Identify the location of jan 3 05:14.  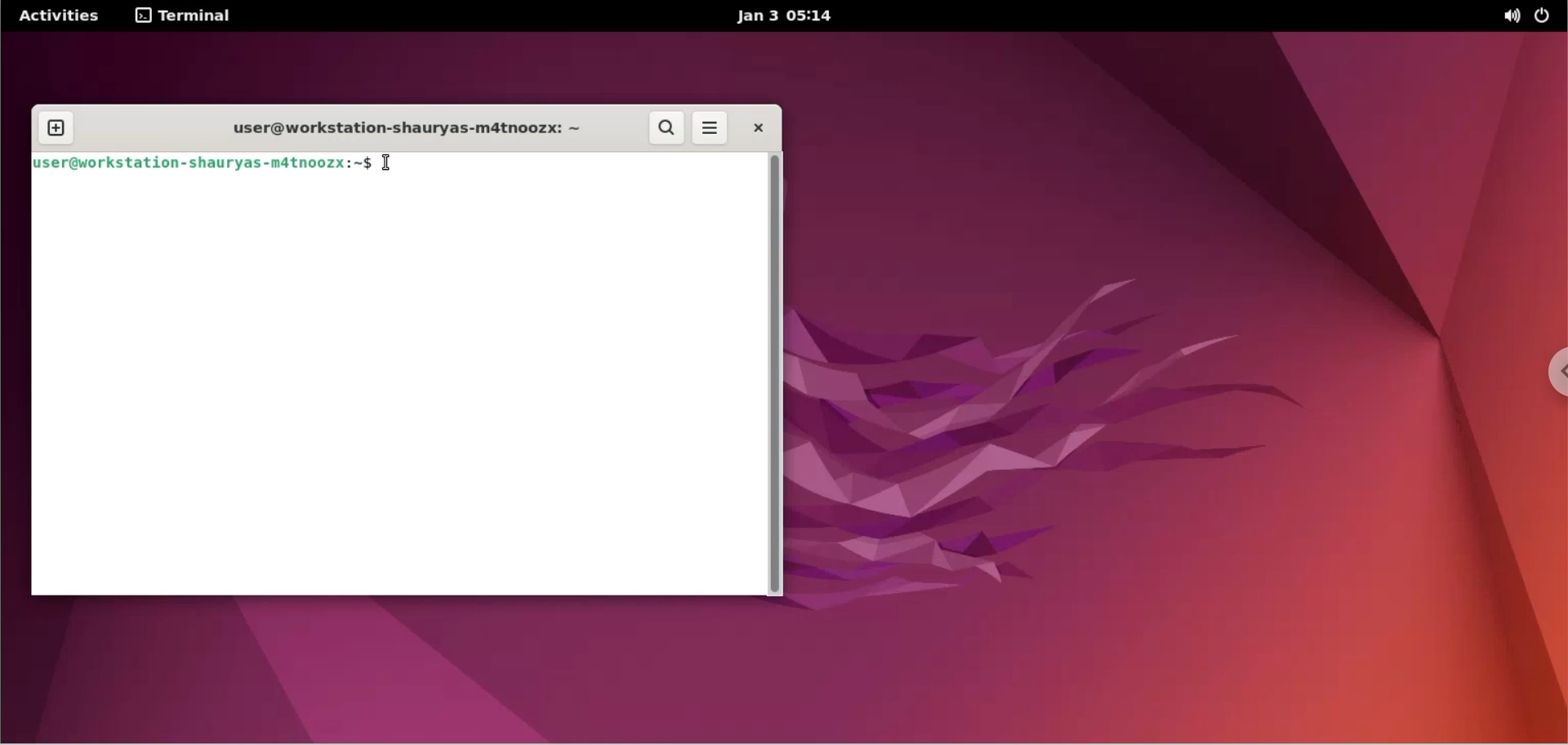
(785, 17).